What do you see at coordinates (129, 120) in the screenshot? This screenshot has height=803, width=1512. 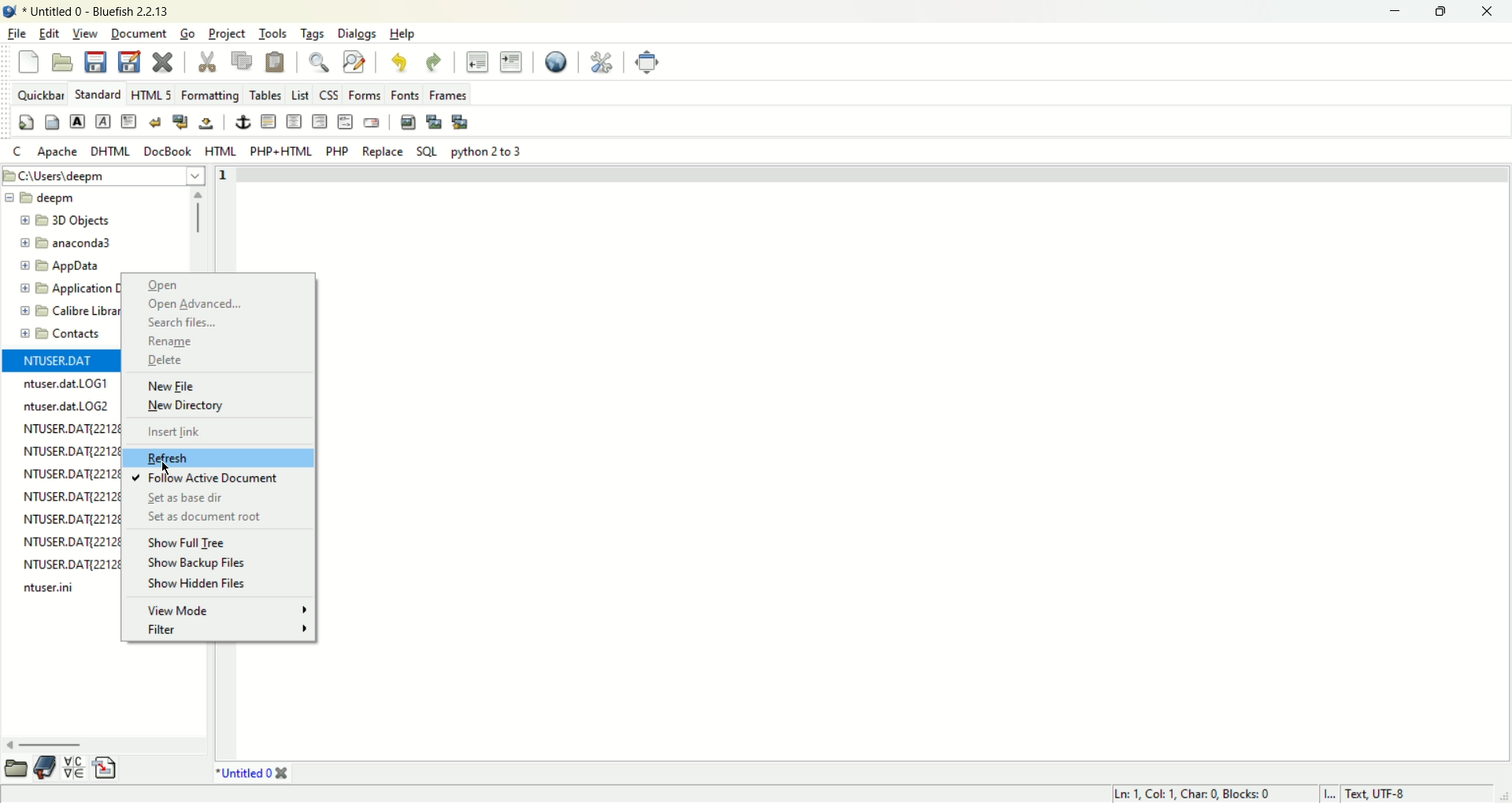 I see `paragraph` at bounding box center [129, 120].